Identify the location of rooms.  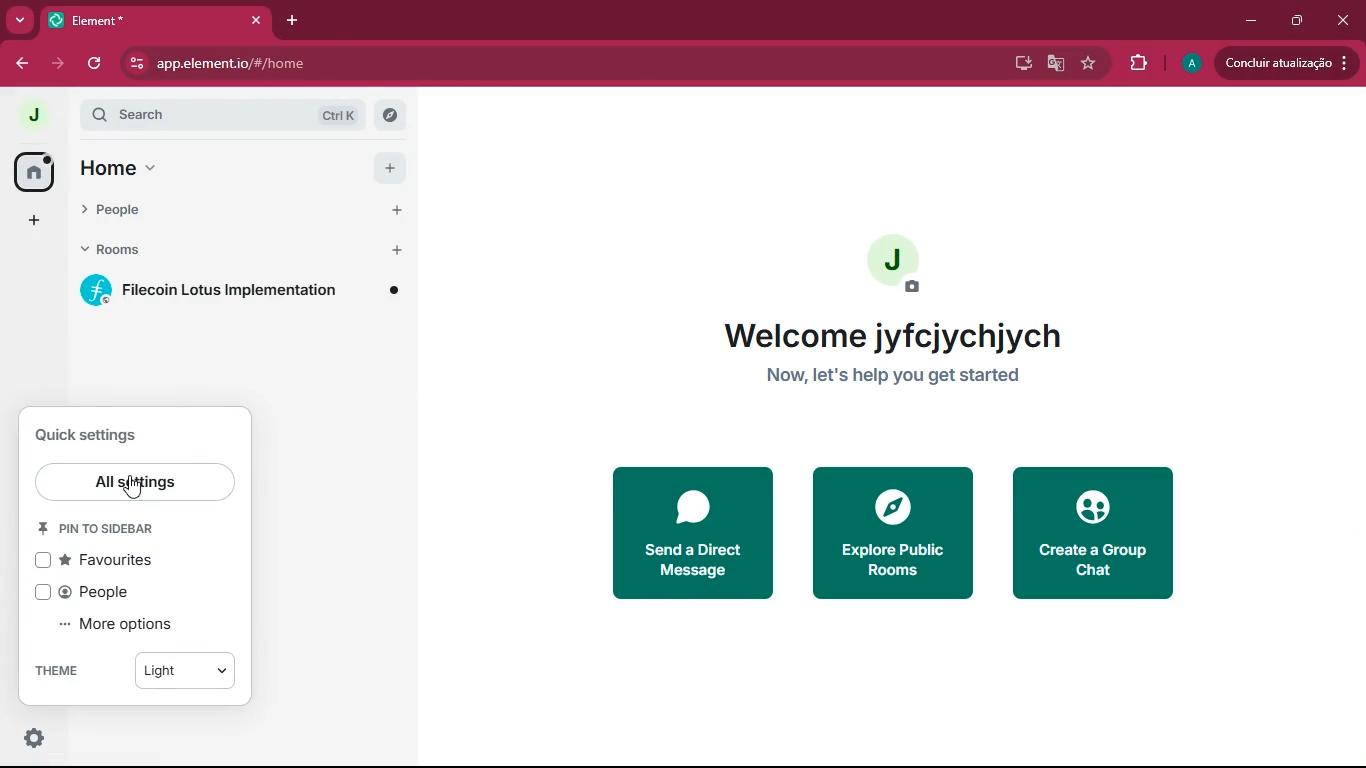
(237, 252).